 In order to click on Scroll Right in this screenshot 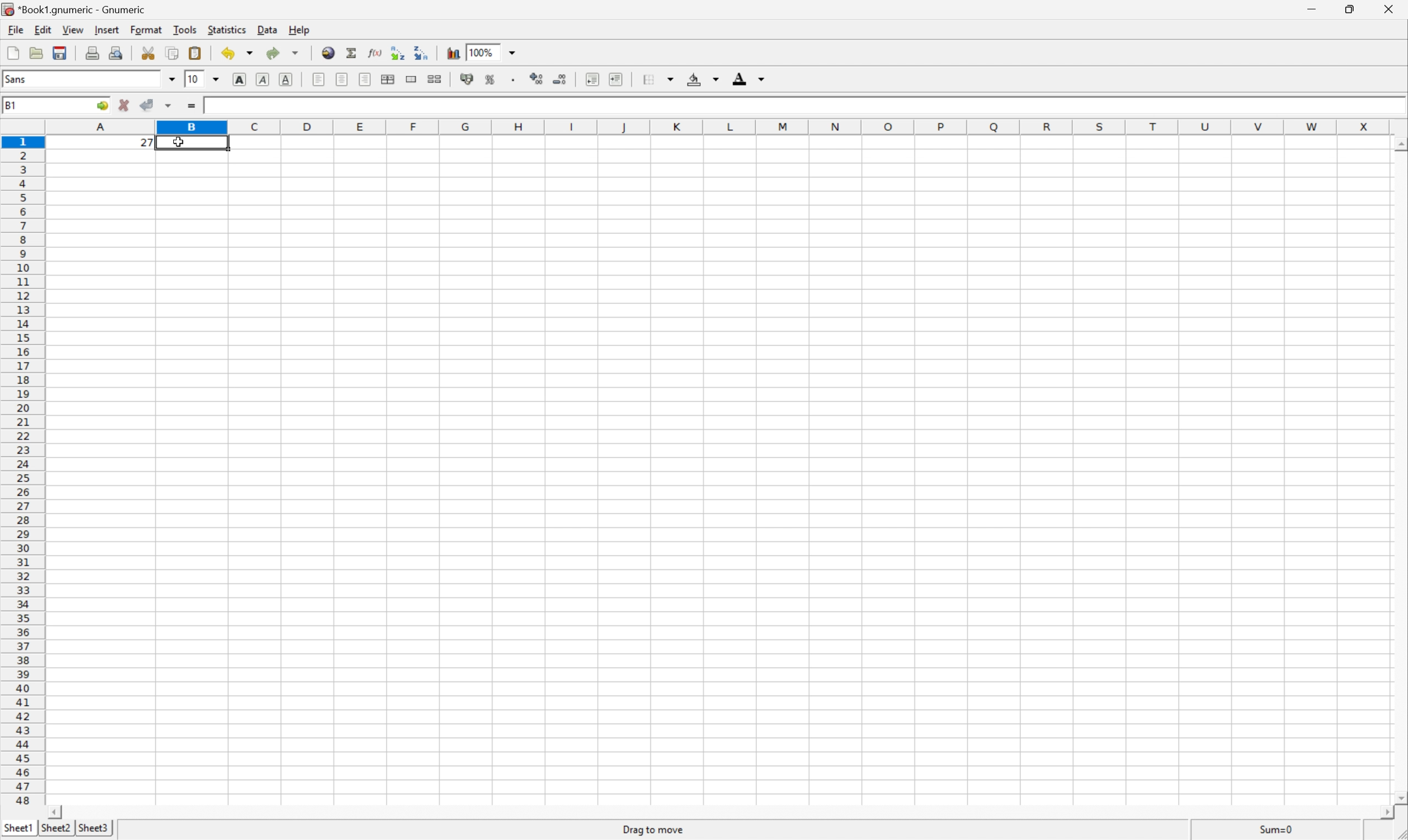, I will do `click(1381, 810)`.